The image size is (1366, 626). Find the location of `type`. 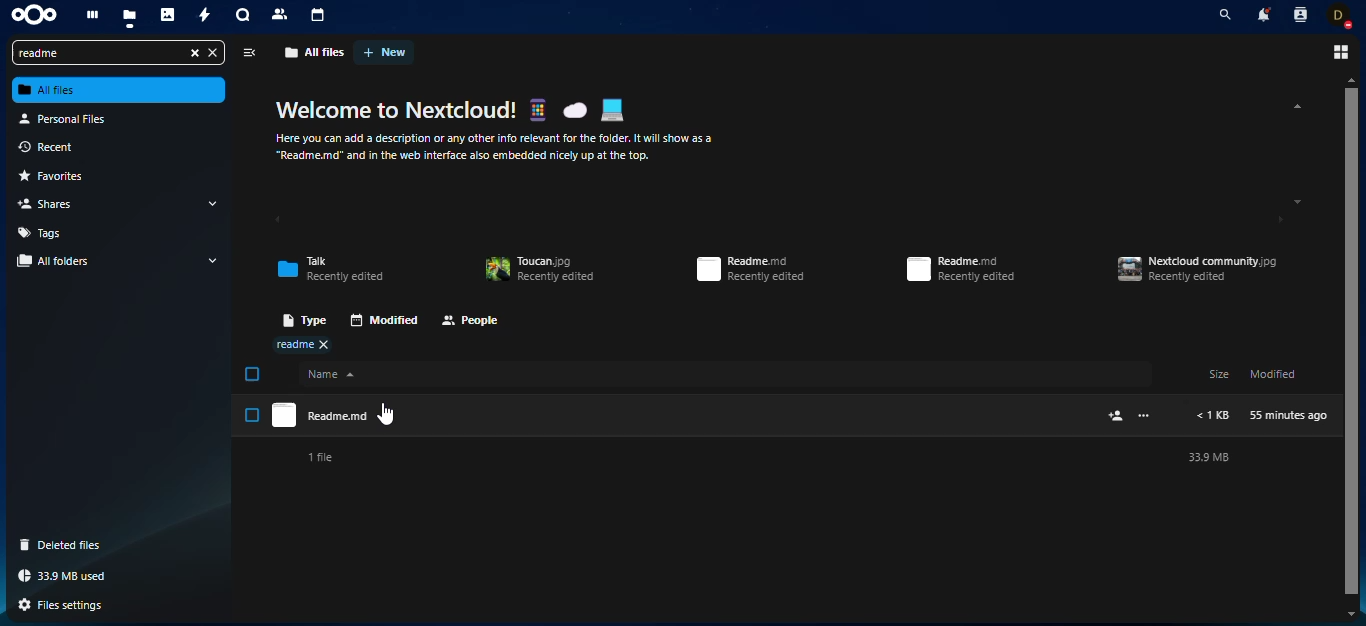

type is located at coordinates (300, 319).